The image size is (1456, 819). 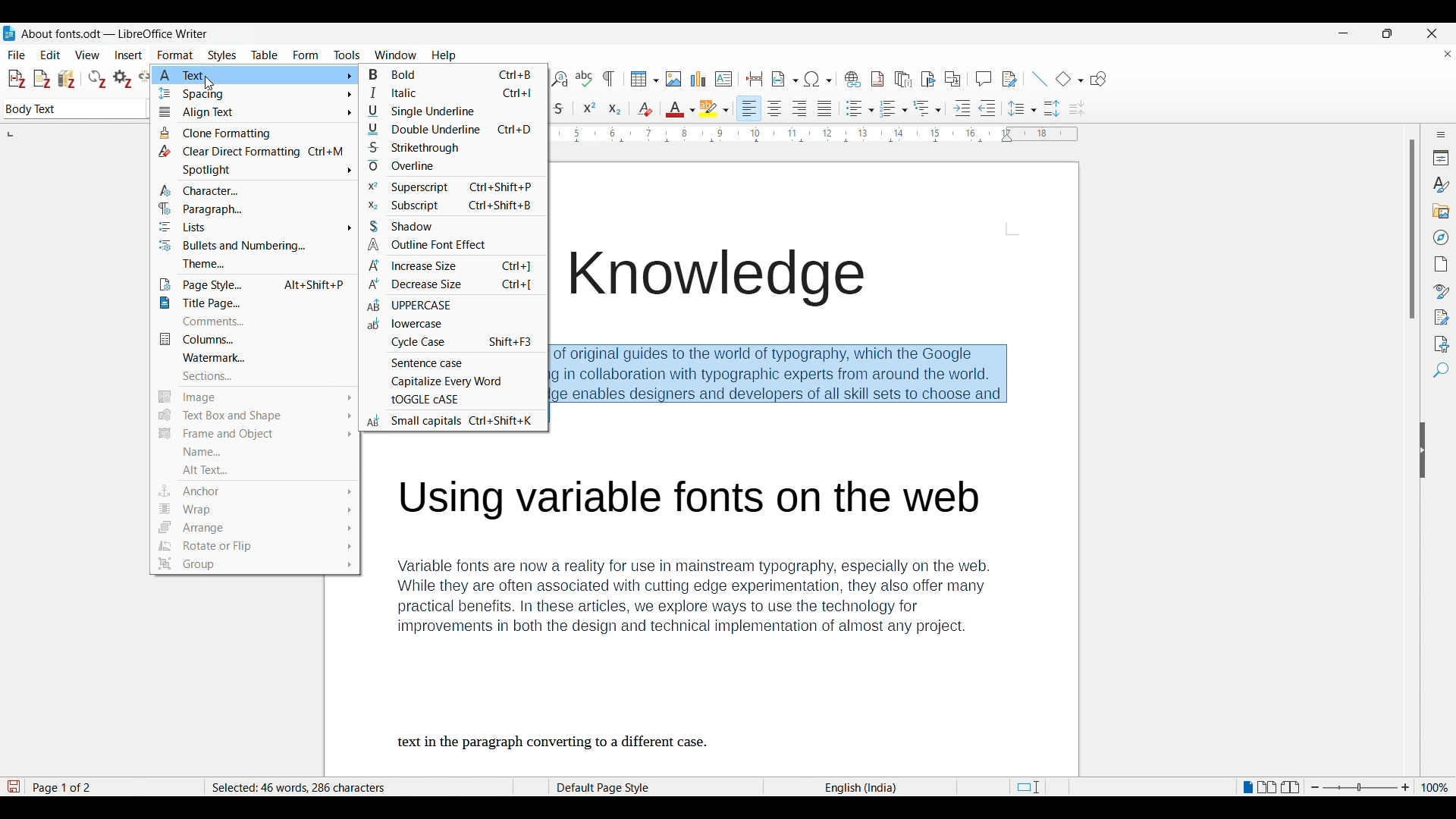 What do you see at coordinates (1442, 344) in the screenshot?
I see `Accessibility check` at bounding box center [1442, 344].